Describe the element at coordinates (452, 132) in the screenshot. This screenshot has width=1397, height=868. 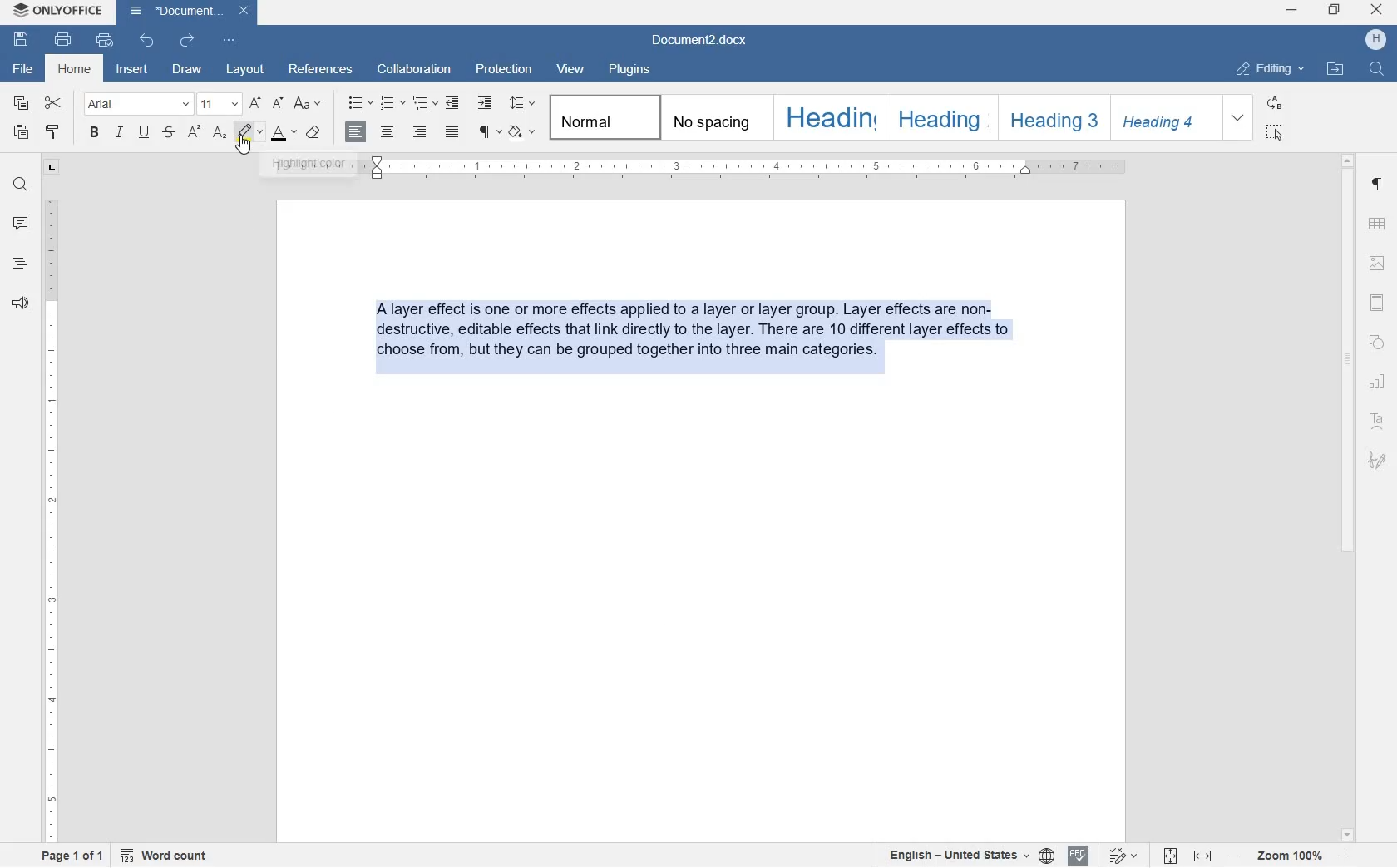
I see `JUSTIFIED` at that location.